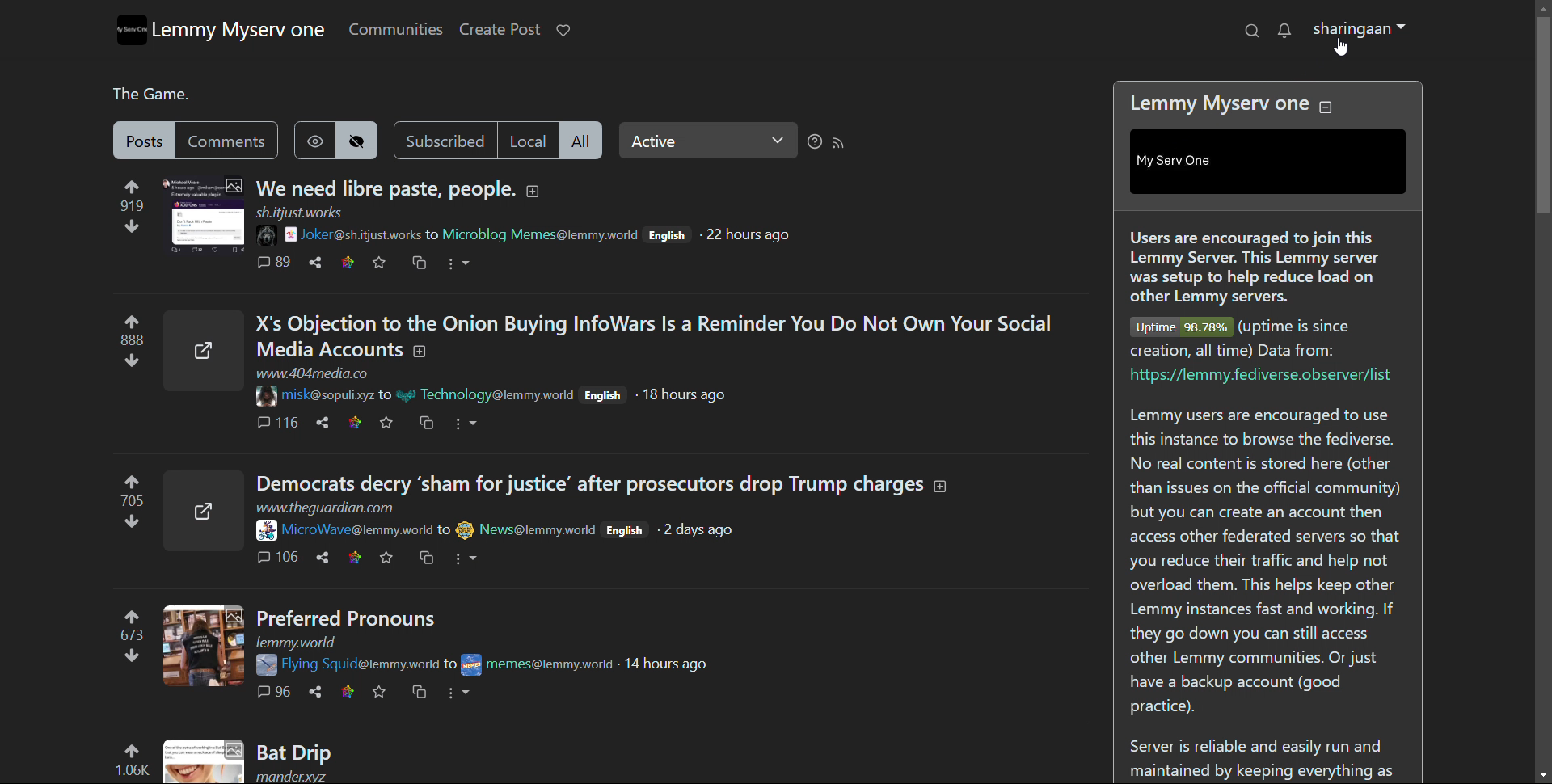 Image resolution: width=1552 pixels, height=784 pixels. What do you see at coordinates (124, 773) in the screenshot?
I see `1.06K` at bounding box center [124, 773].